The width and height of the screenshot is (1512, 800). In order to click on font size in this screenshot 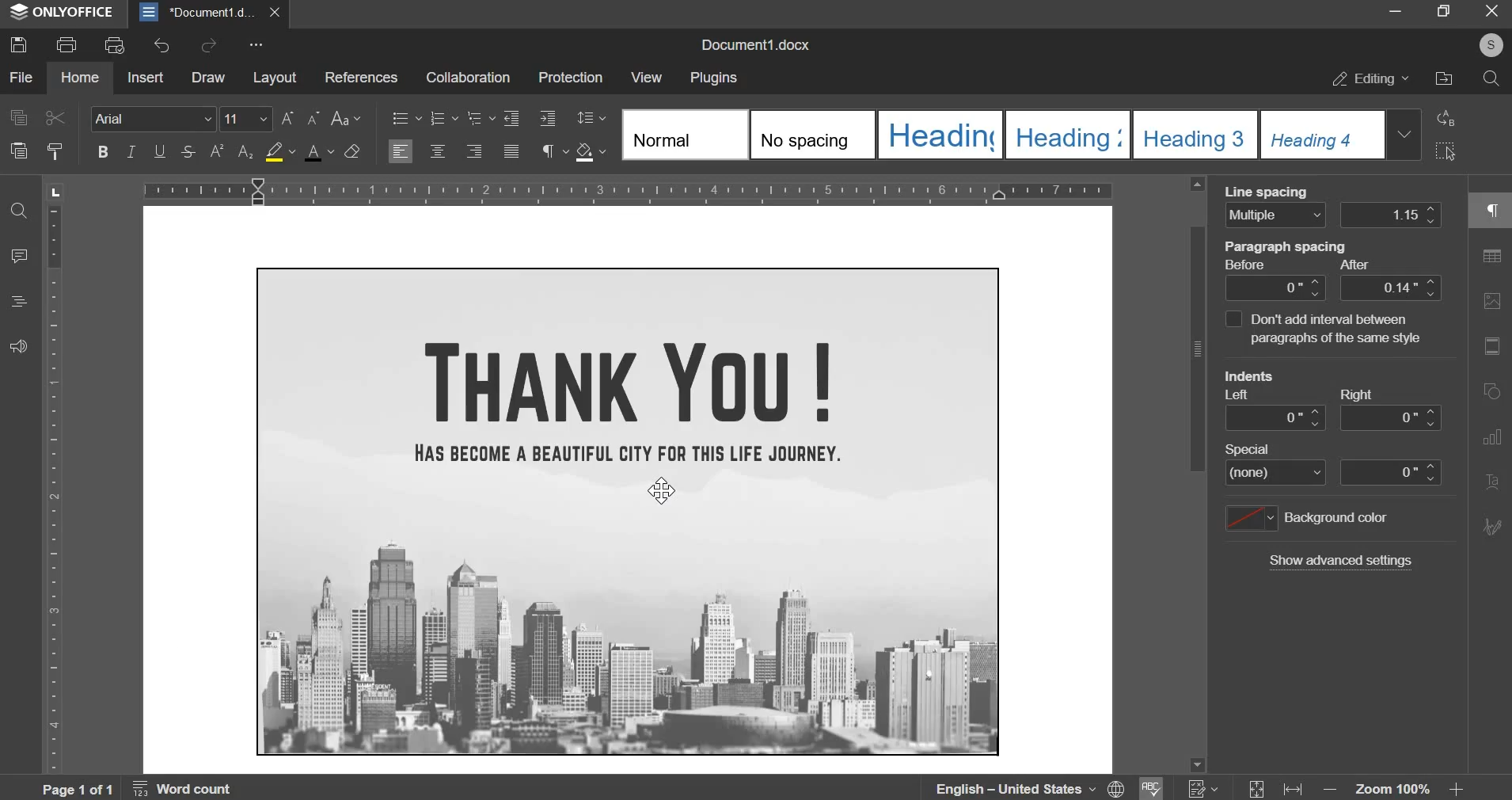, I will do `click(247, 118)`.